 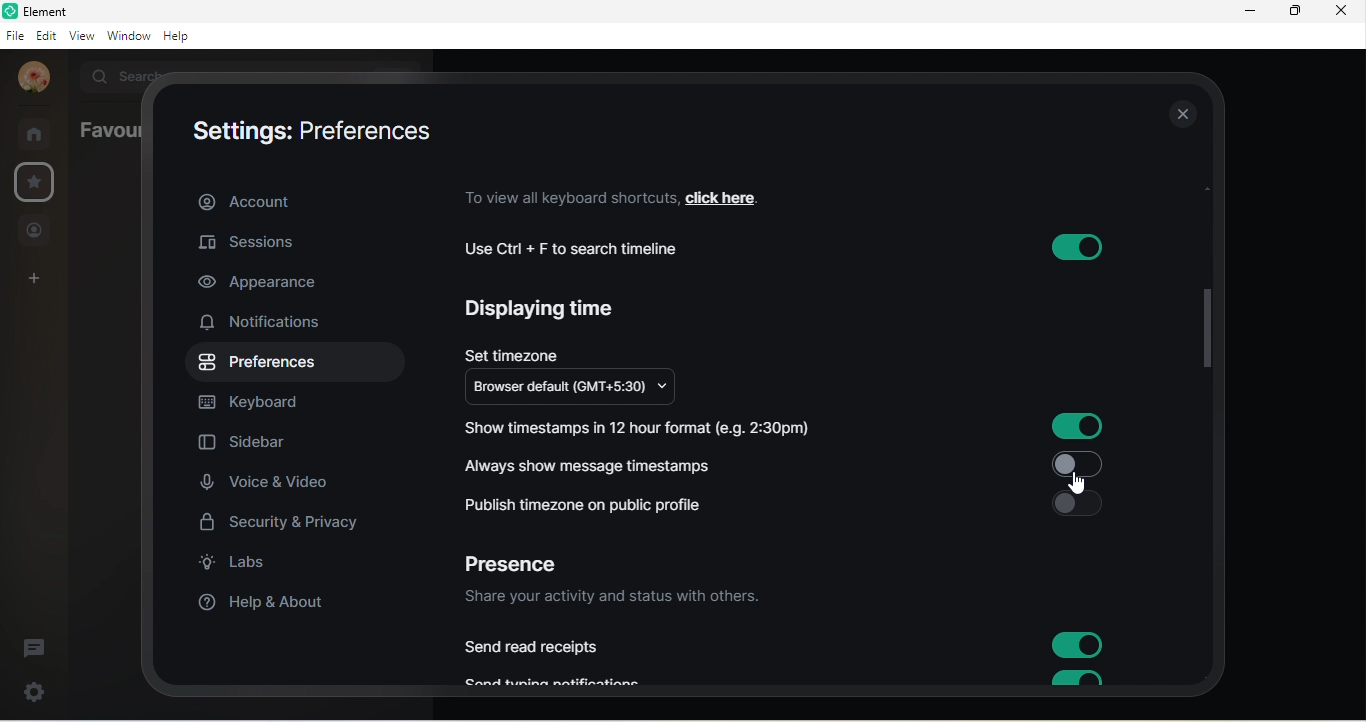 What do you see at coordinates (127, 37) in the screenshot?
I see `window` at bounding box center [127, 37].